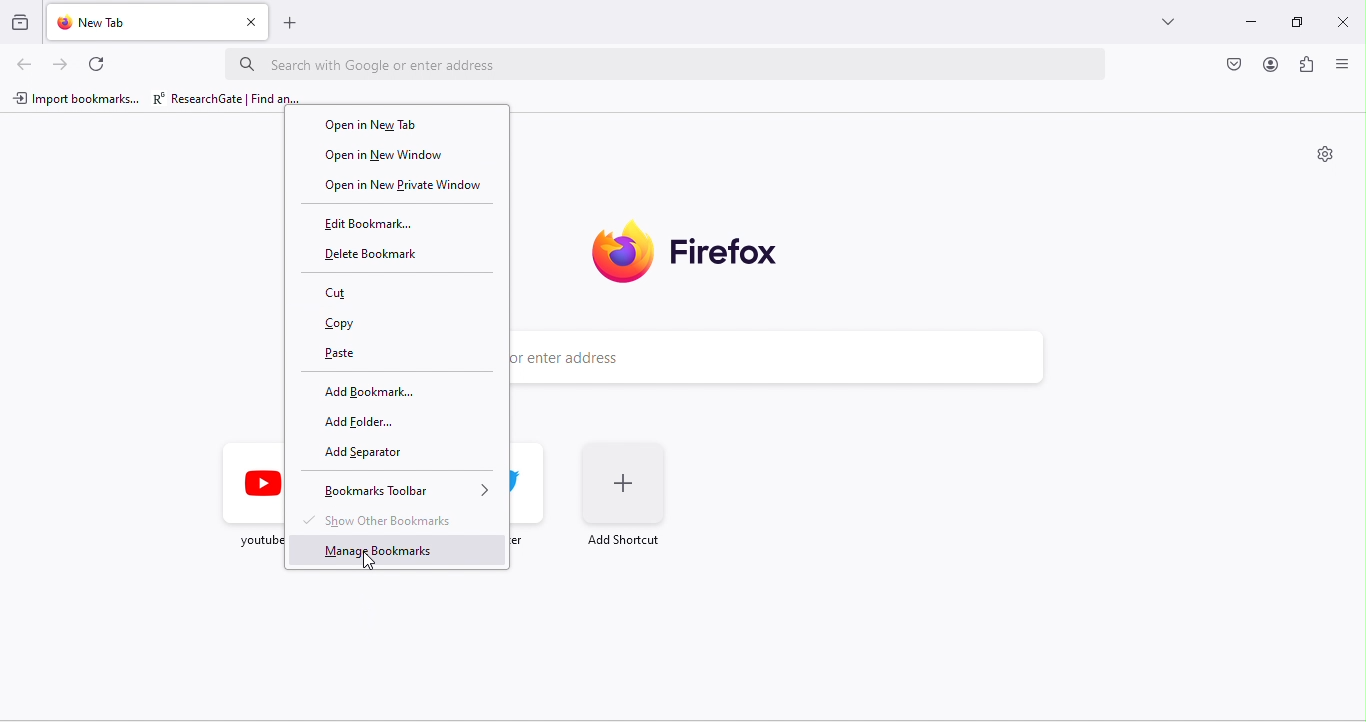 Image resolution: width=1366 pixels, height=722 pixels. I want to click on refresh, so click(105, 61).